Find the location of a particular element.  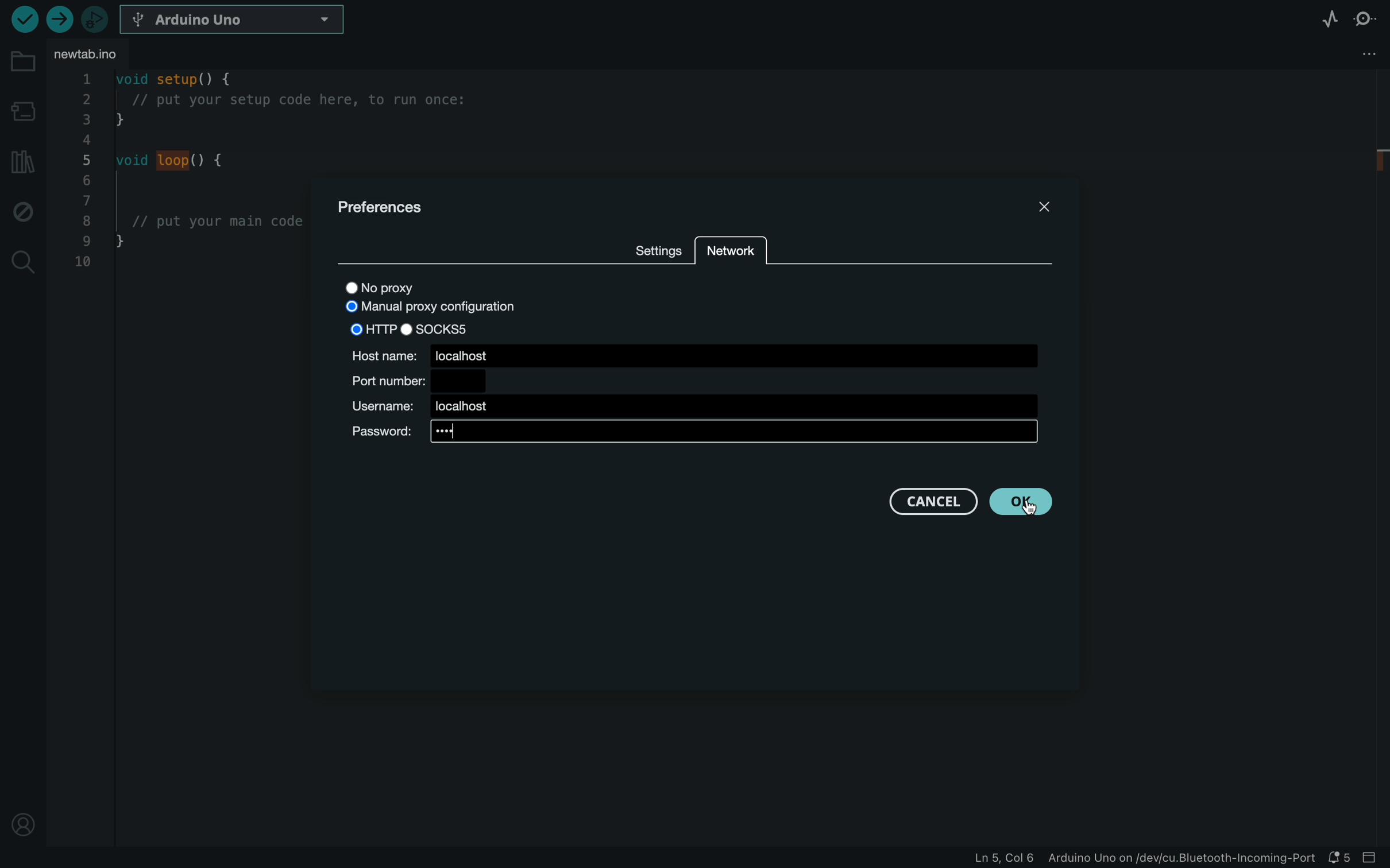

cursor is located at coordinates (1028, 506).